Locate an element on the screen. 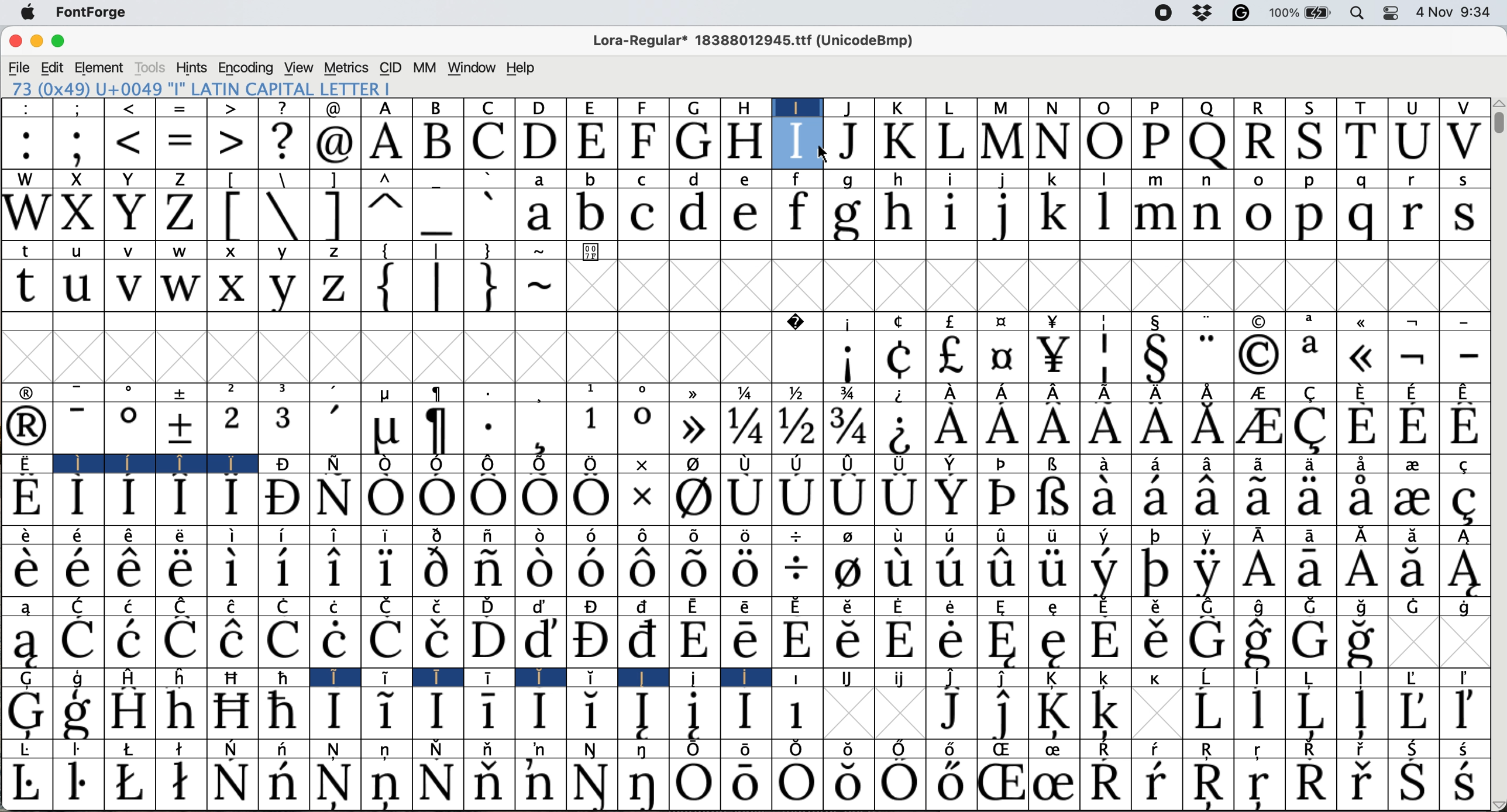 This screenshot has width=1507, height=812. Symbol is located at coordinates (849, 359).